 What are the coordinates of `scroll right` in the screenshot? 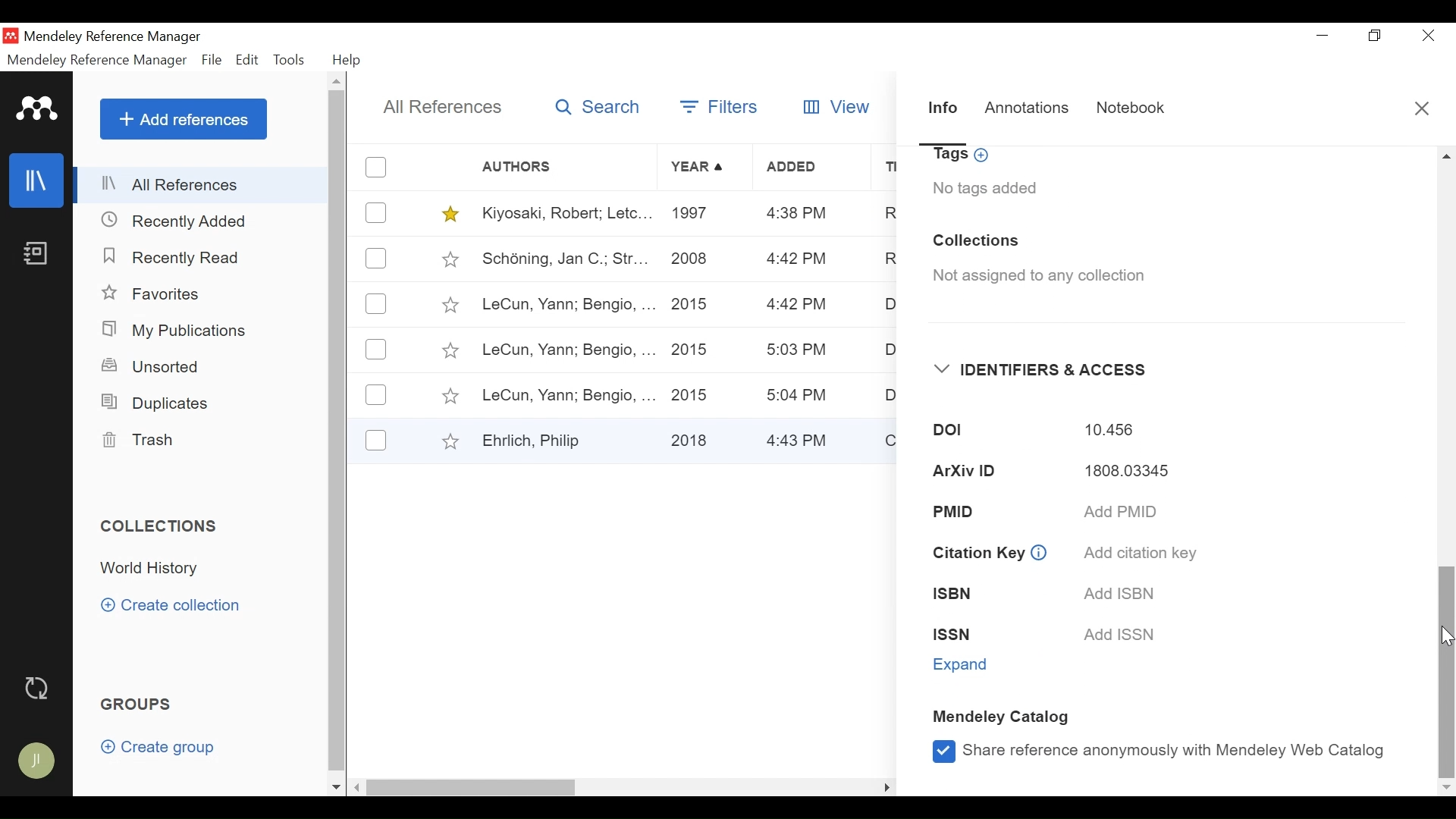 It's located at (886, 786).